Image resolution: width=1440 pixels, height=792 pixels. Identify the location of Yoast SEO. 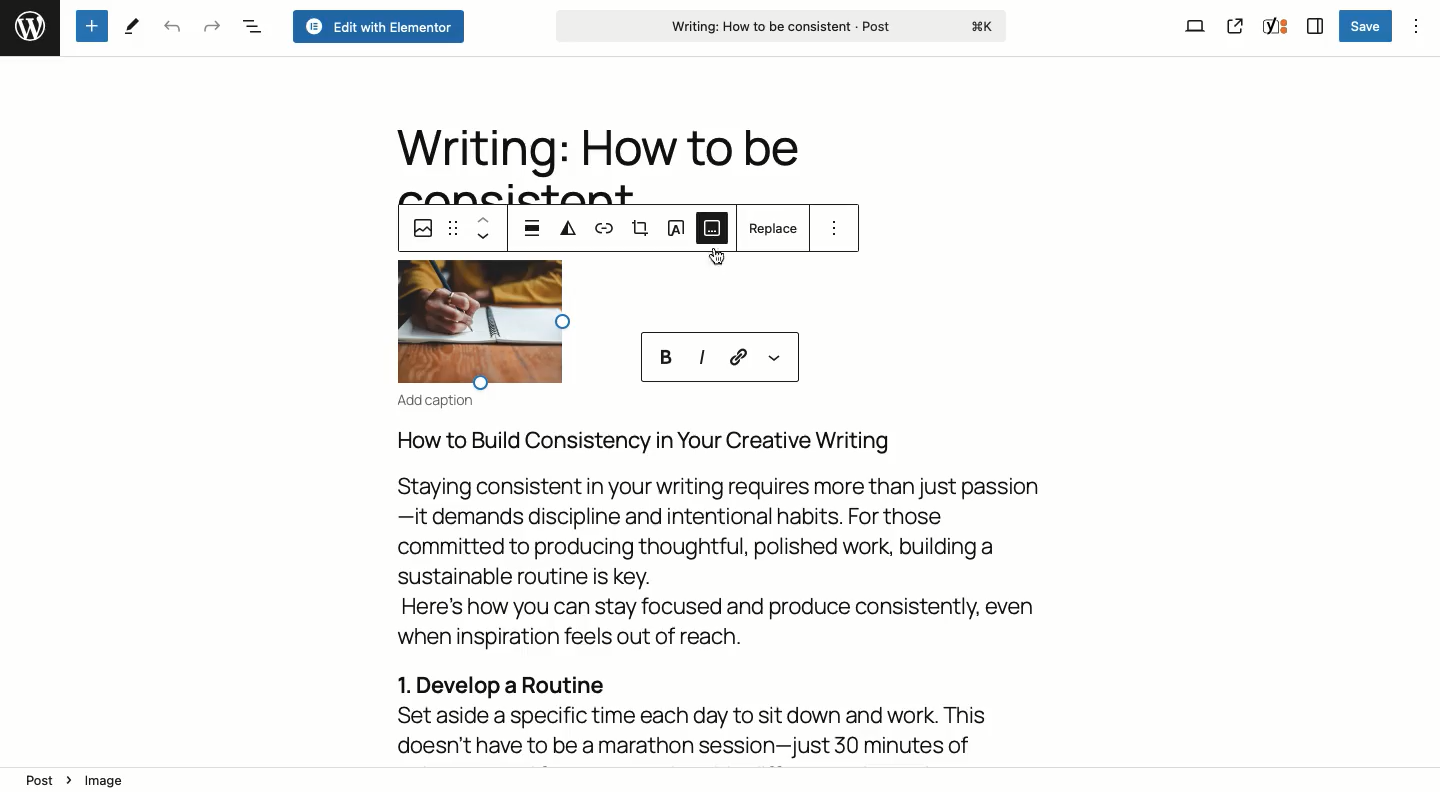
(1274, 28).